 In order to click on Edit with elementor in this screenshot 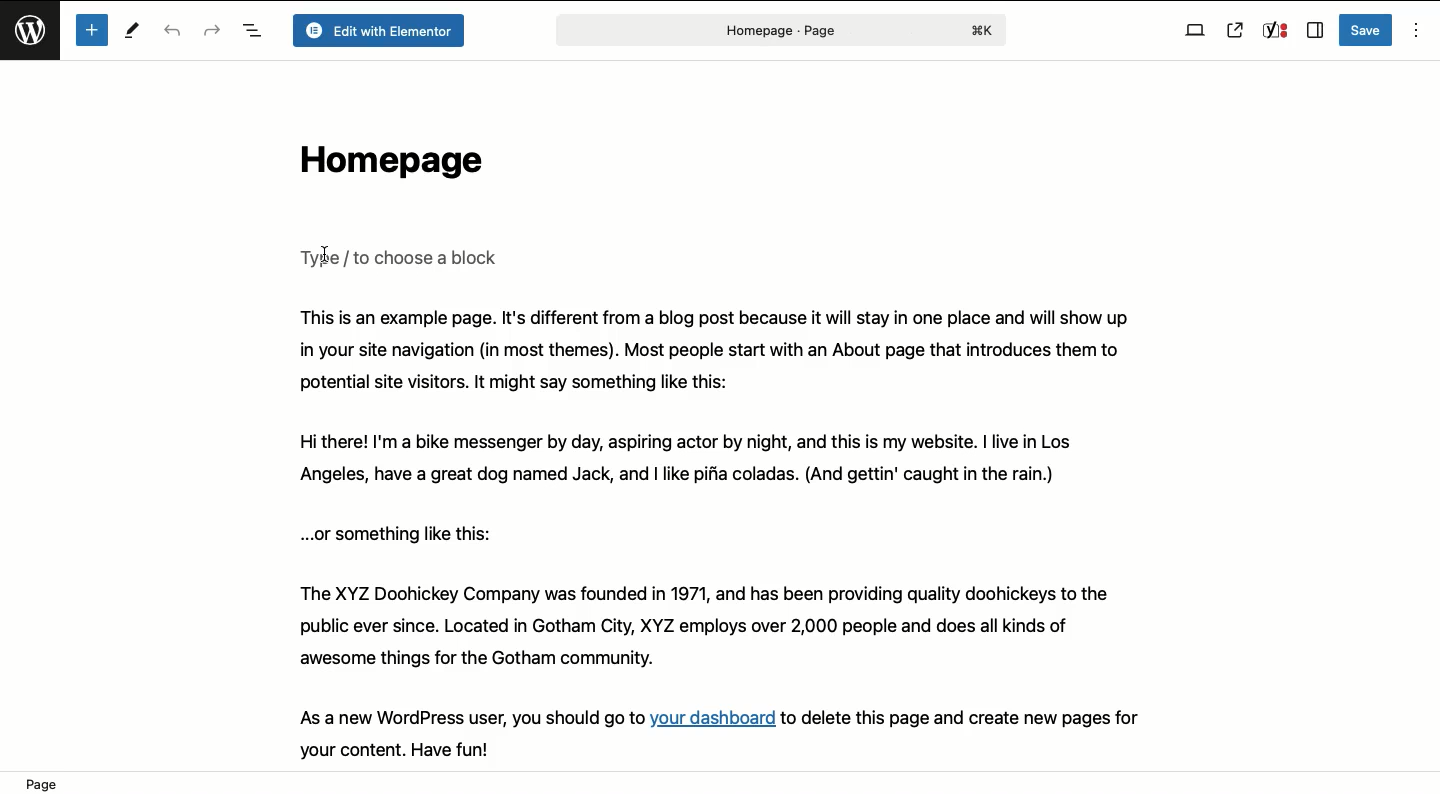, I will do `click(377, 31)`.